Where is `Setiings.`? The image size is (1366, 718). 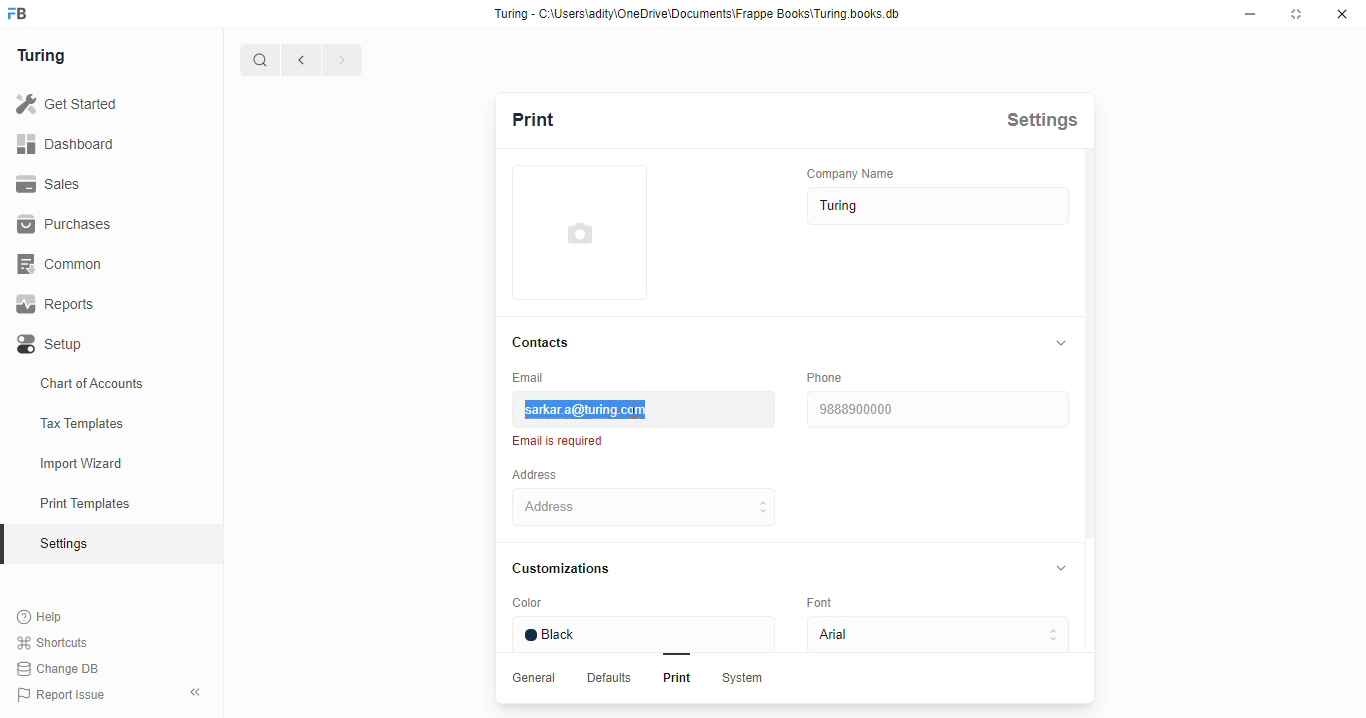 Setiings. is located at coordinates (111, 544).